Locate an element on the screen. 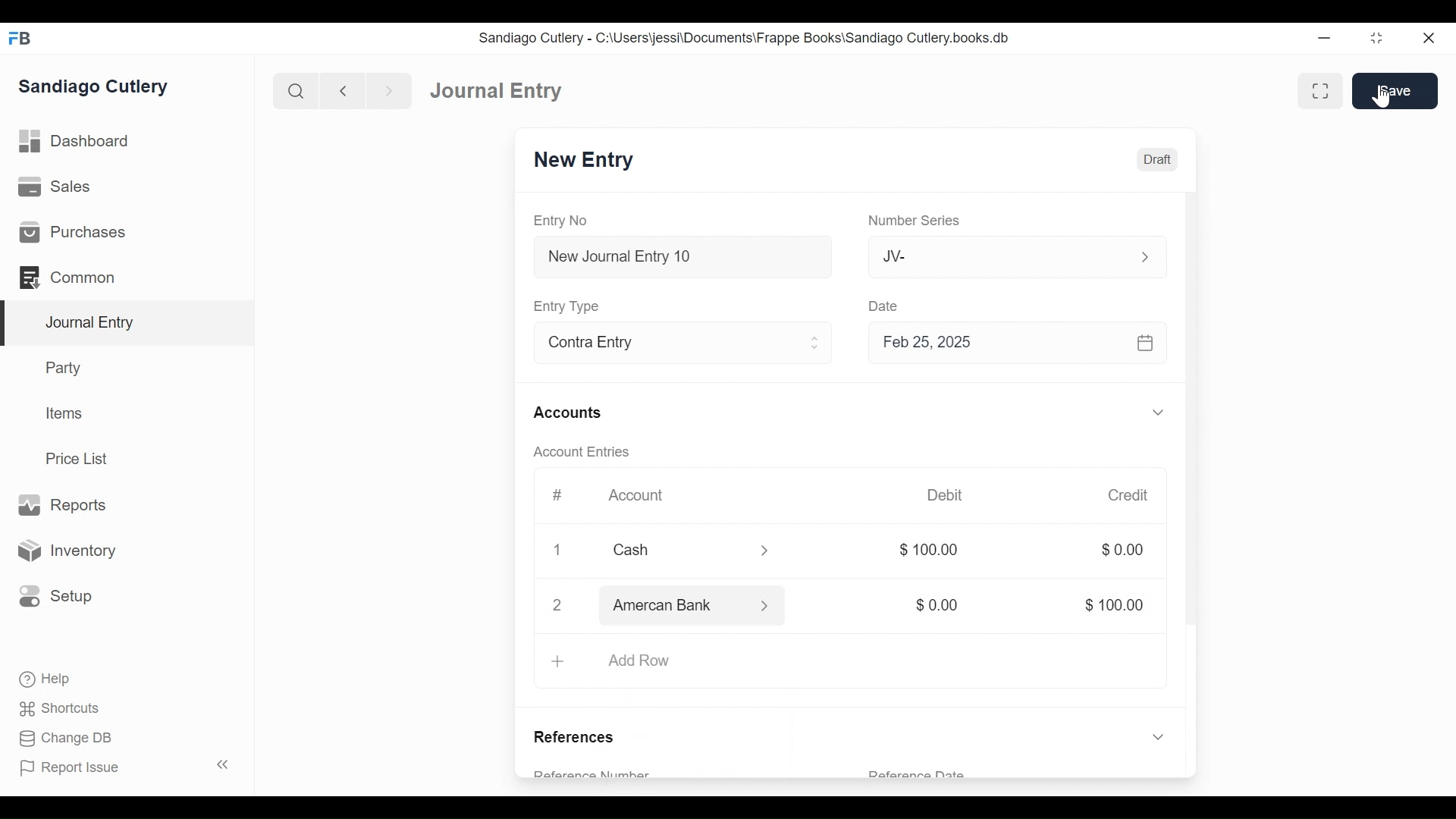 The image size is (1456, 819). Search is located at coordinates (297, 90).